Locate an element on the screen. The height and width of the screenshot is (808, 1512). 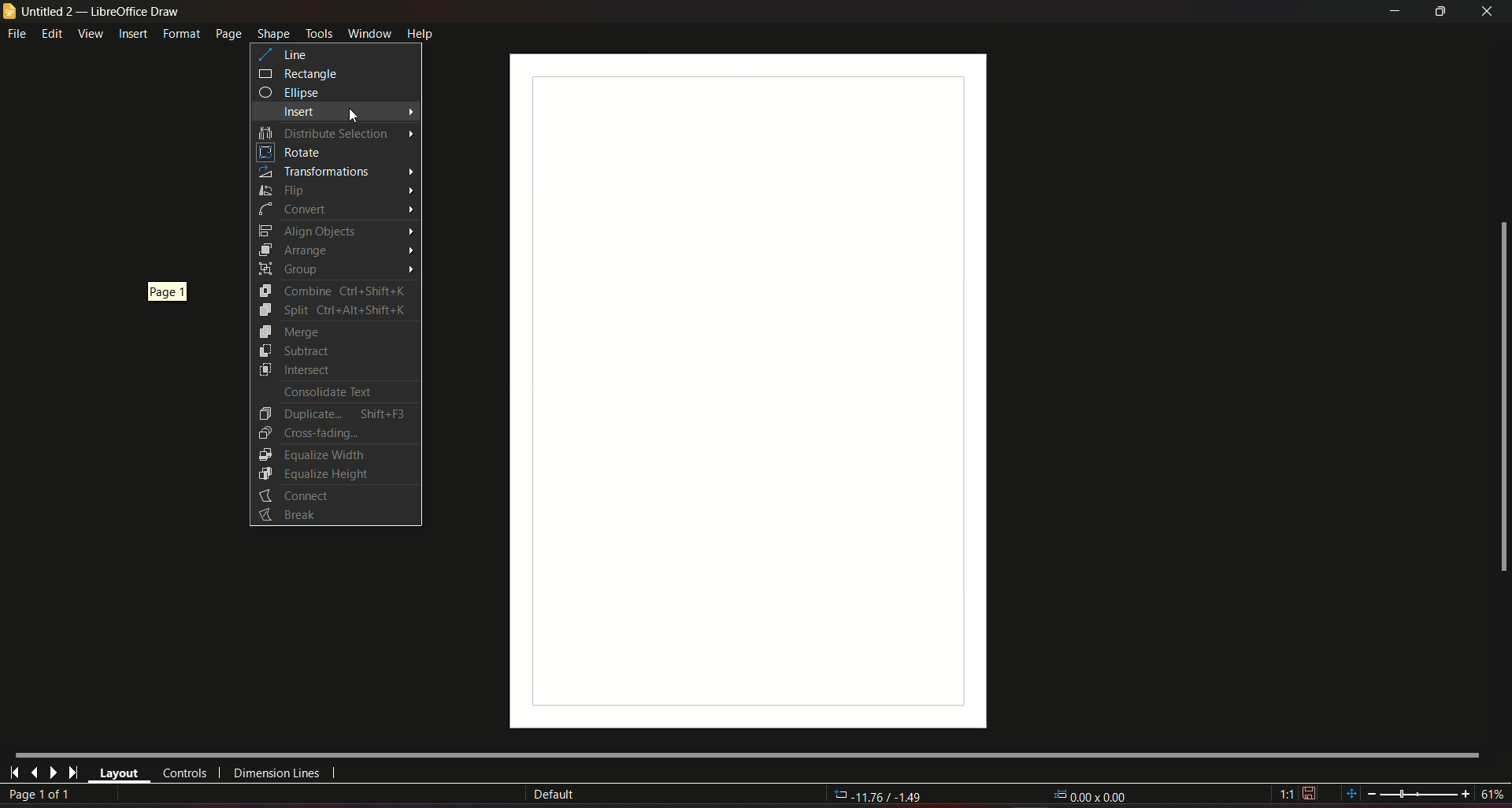
Rotate is located at coordinates (291, 153).